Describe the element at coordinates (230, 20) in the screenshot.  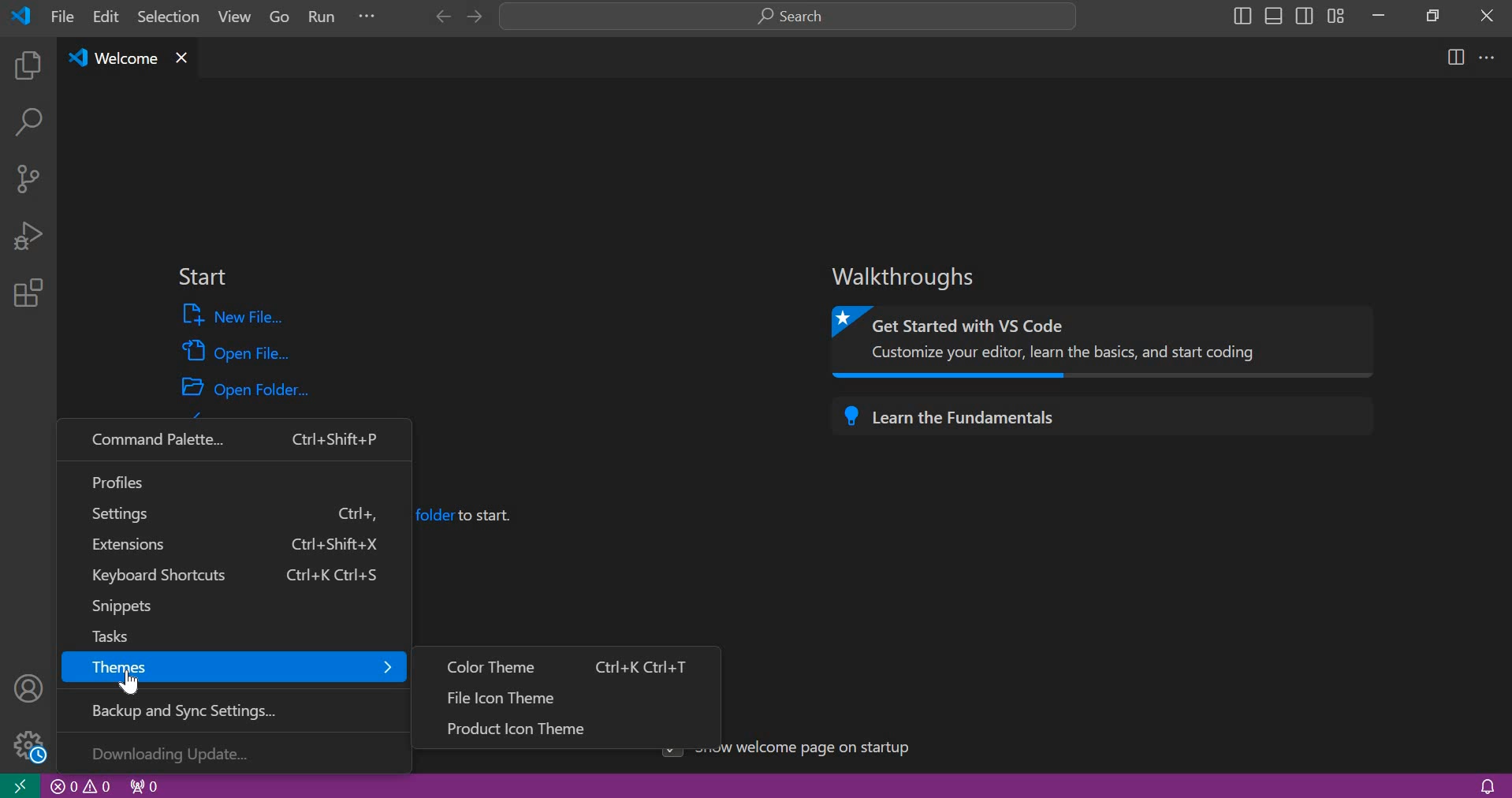
I see `view` at that location.